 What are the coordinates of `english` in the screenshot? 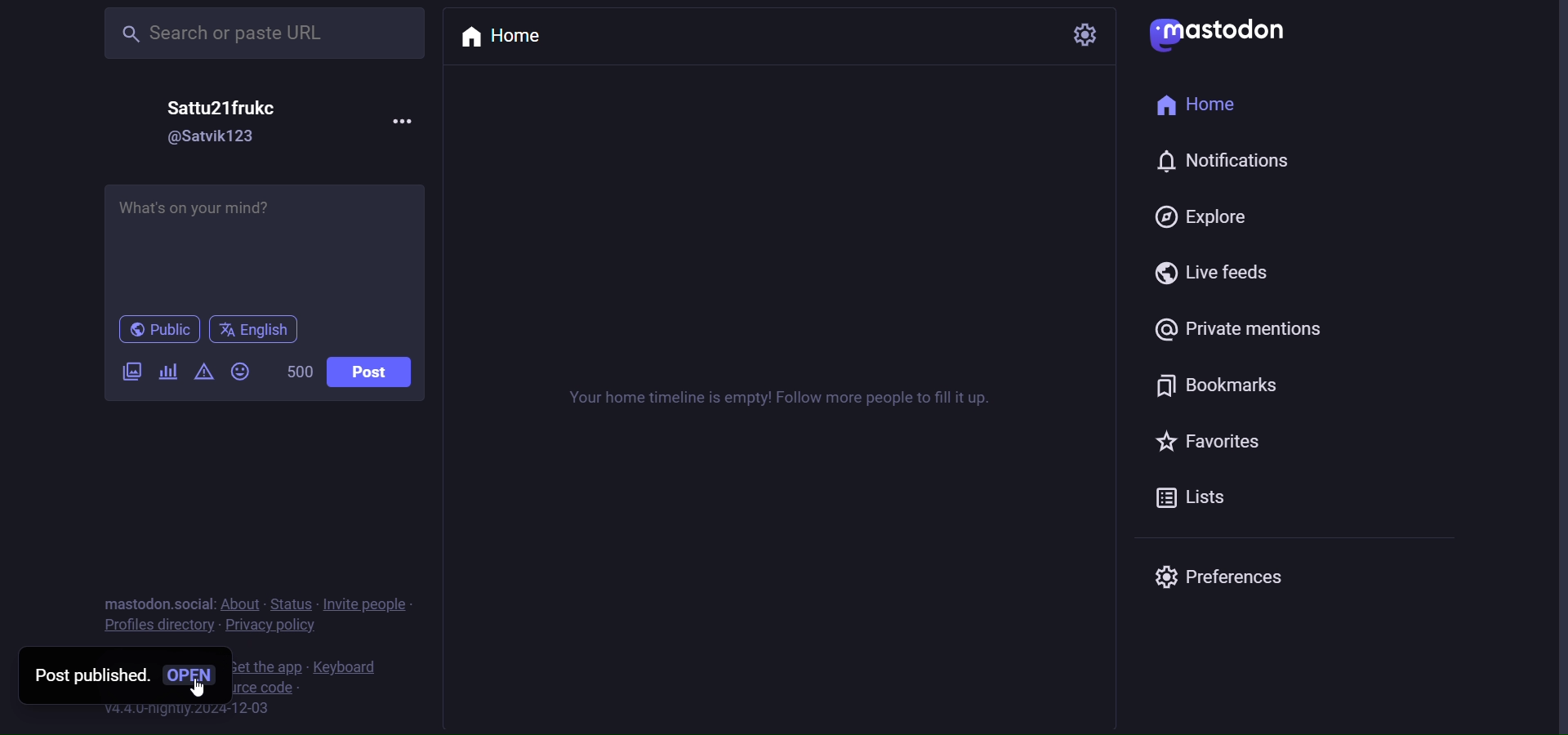 It's located at (260, 332).